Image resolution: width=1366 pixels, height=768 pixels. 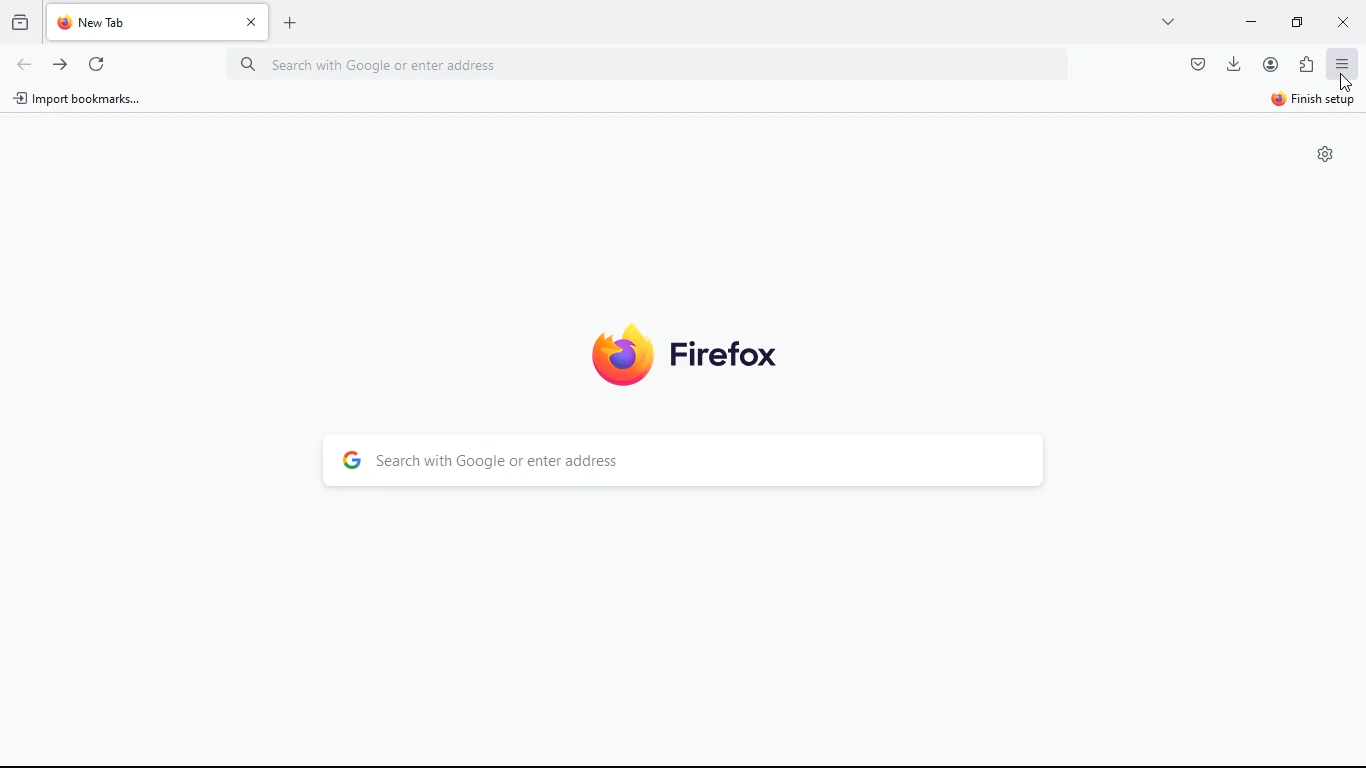 What do you see at coordinates (293, 22) in the screenshot?
I see `add tab` at bounding box center [293, 22].